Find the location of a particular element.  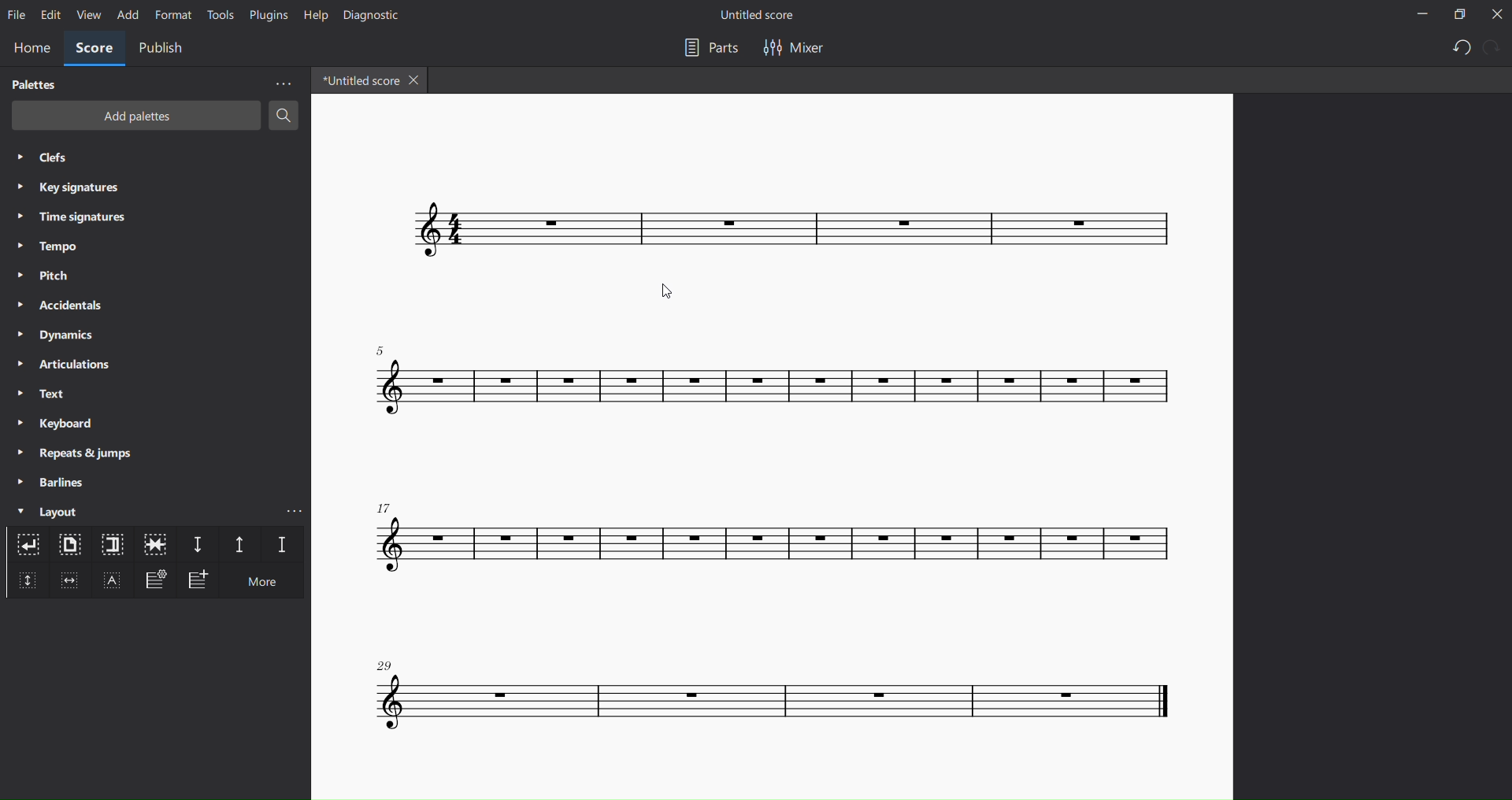

frame settings is located at coordinates (154, 583).